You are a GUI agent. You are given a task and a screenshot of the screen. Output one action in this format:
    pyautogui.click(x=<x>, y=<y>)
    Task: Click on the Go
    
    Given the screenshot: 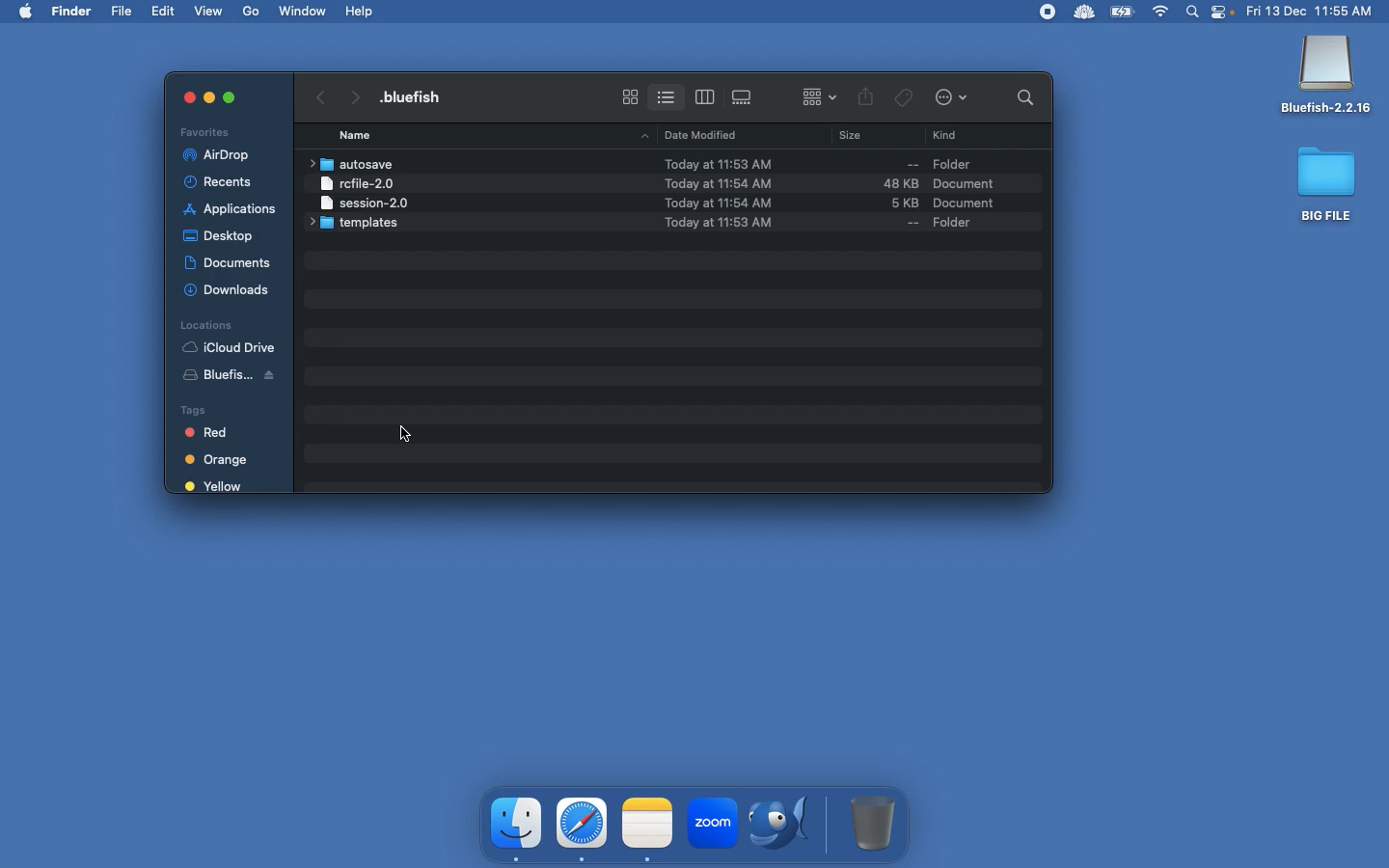 What is the action you would take?
    pyautogui.click(x=253, y=12)
    